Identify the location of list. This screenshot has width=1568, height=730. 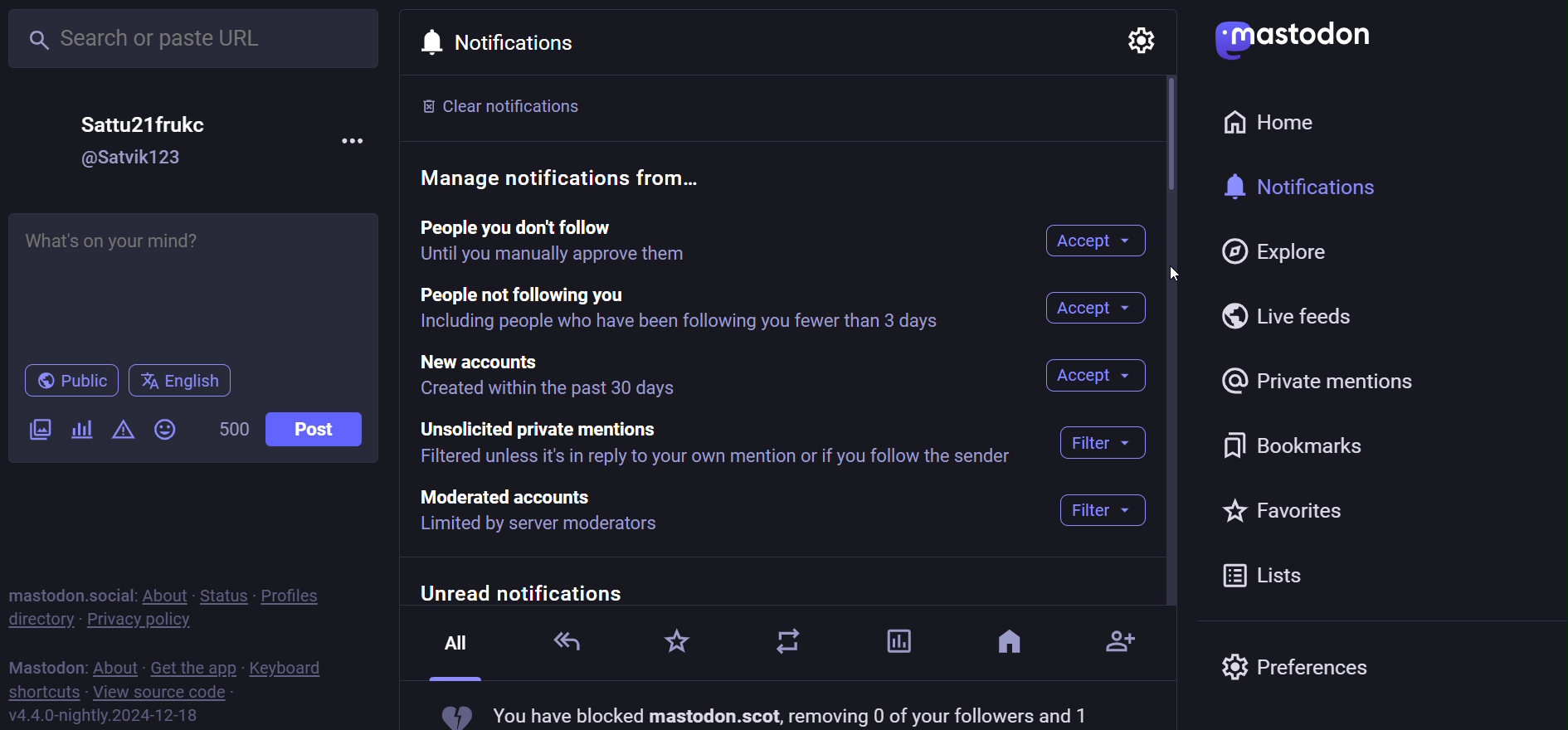
(1265, 573).